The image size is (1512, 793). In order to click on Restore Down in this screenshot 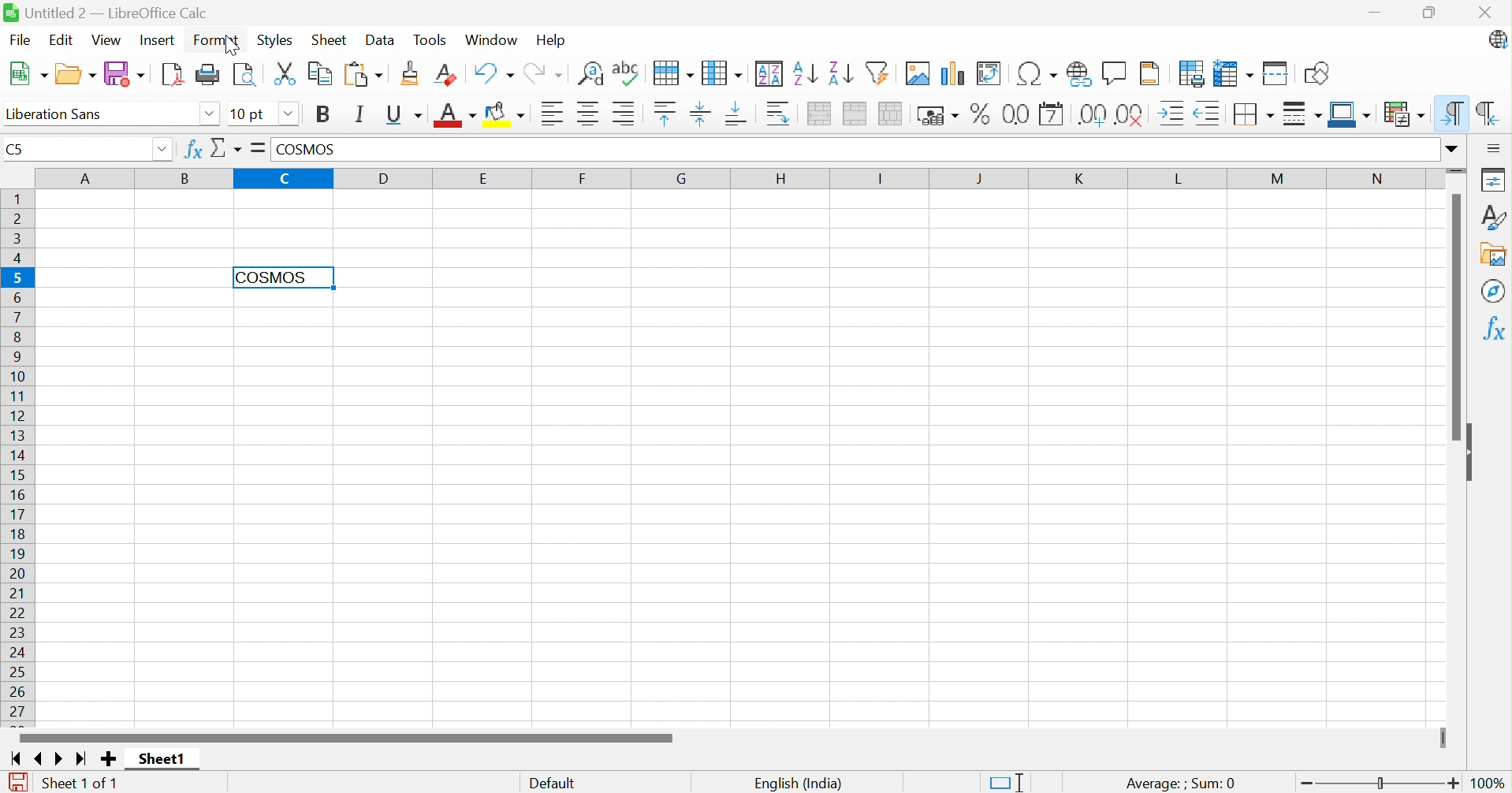, I will do `click(1435, 12)`.